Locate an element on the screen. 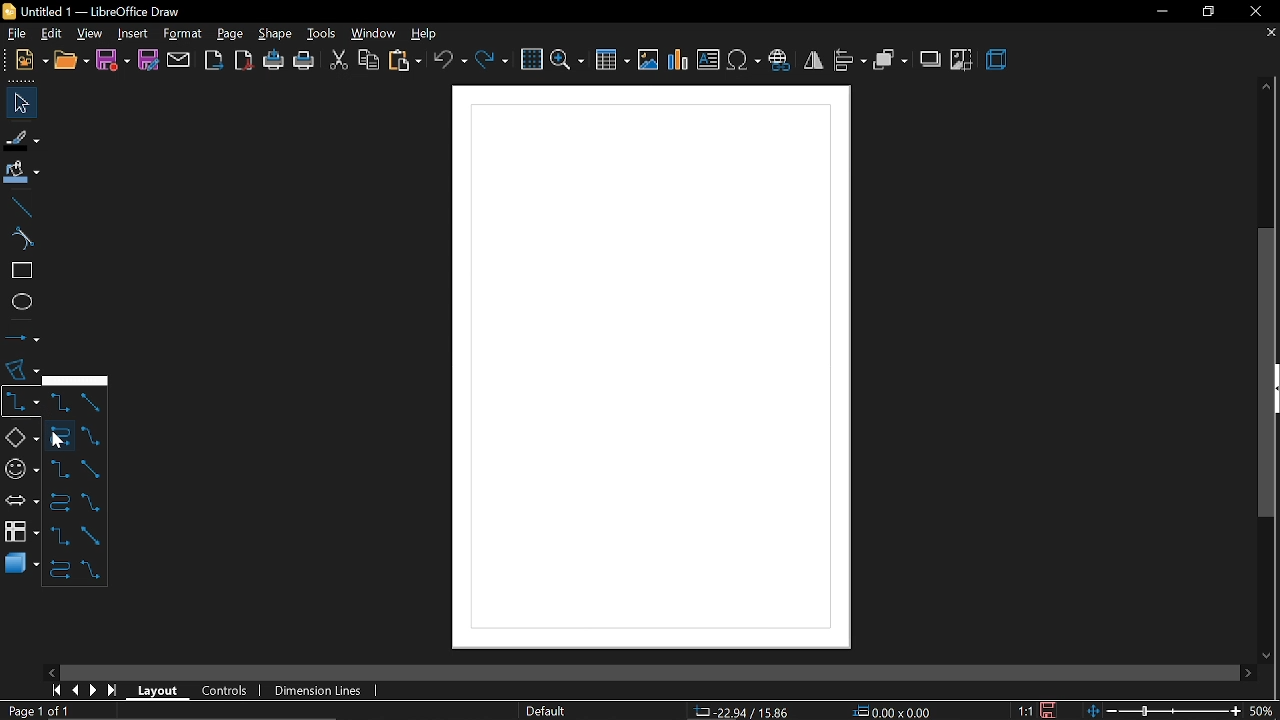 Image resolution: width=1280 pixels, height=720 pixels. Insert hyperlink is located at coordinates (779, 62).